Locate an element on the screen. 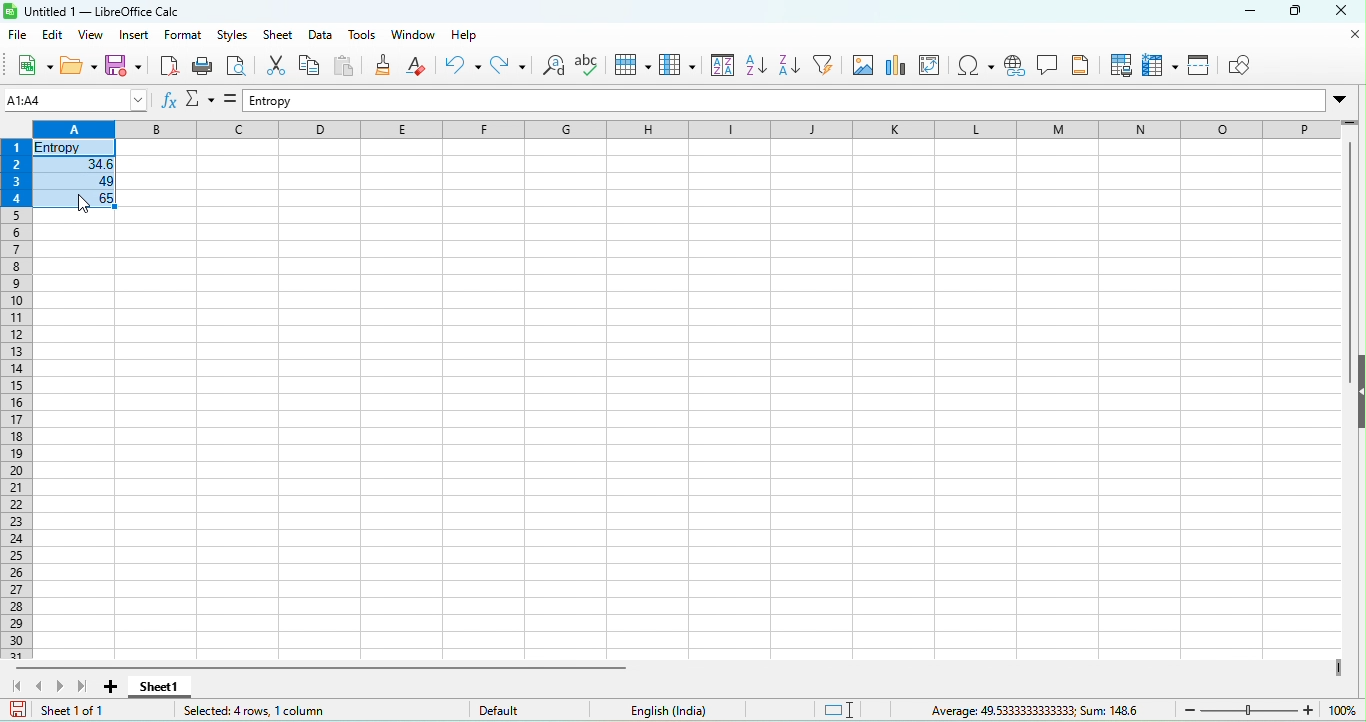 This screenshot has width=1366, height=722. sheet 1 of 1 is located at coordinates (67, 712).